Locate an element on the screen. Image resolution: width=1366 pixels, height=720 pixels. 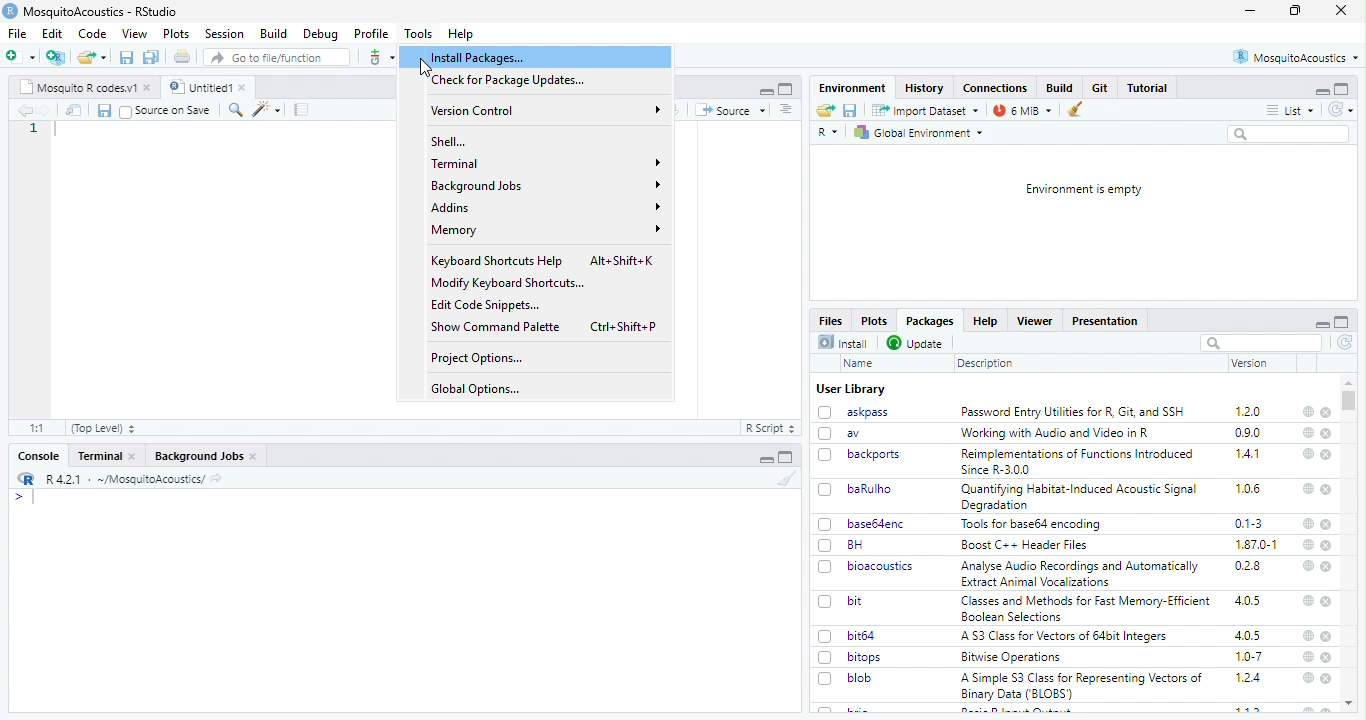
checkbox is located at coordinates (826, 456).